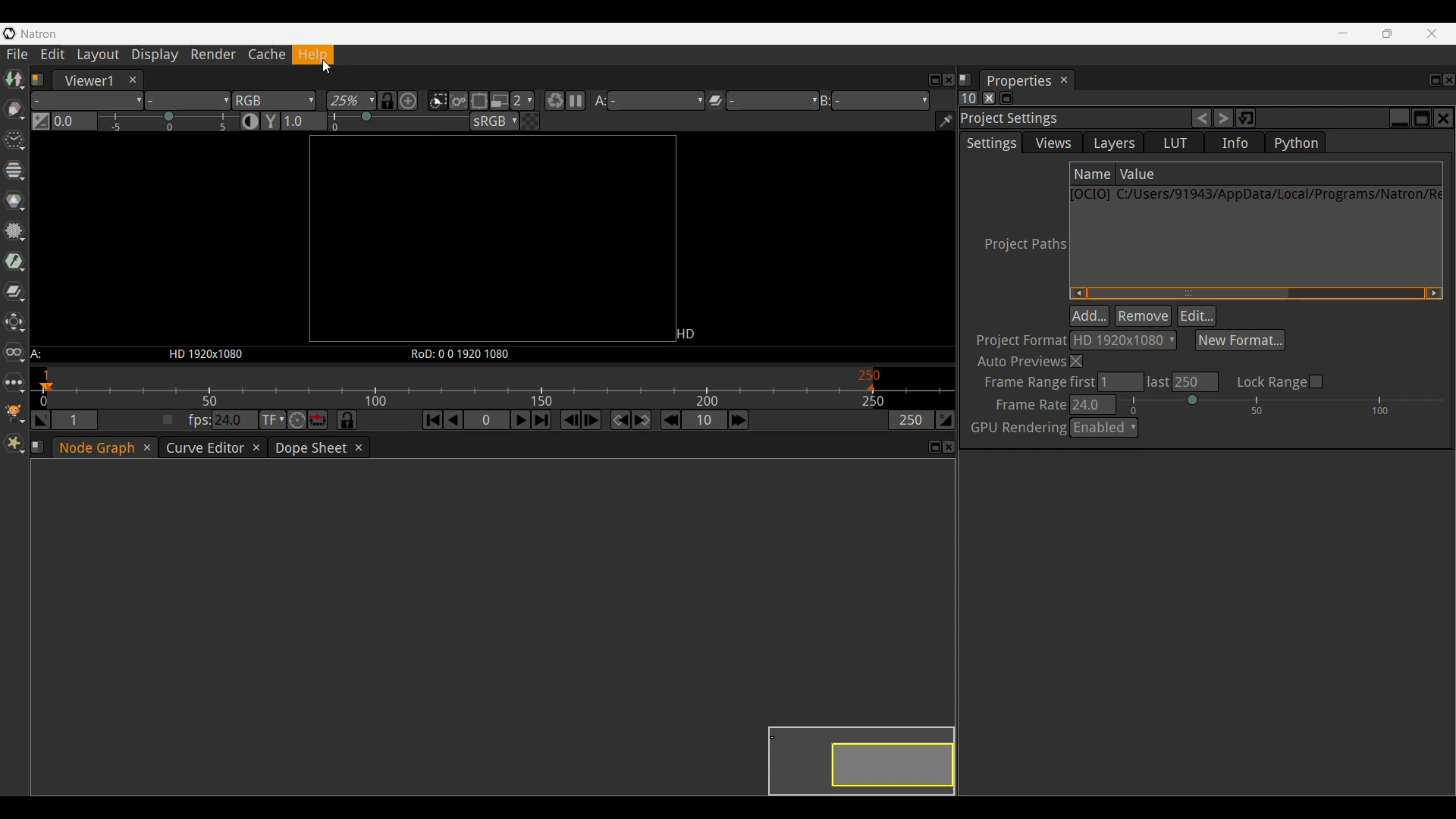  I want to click on Minimize, so click(1341, 33).